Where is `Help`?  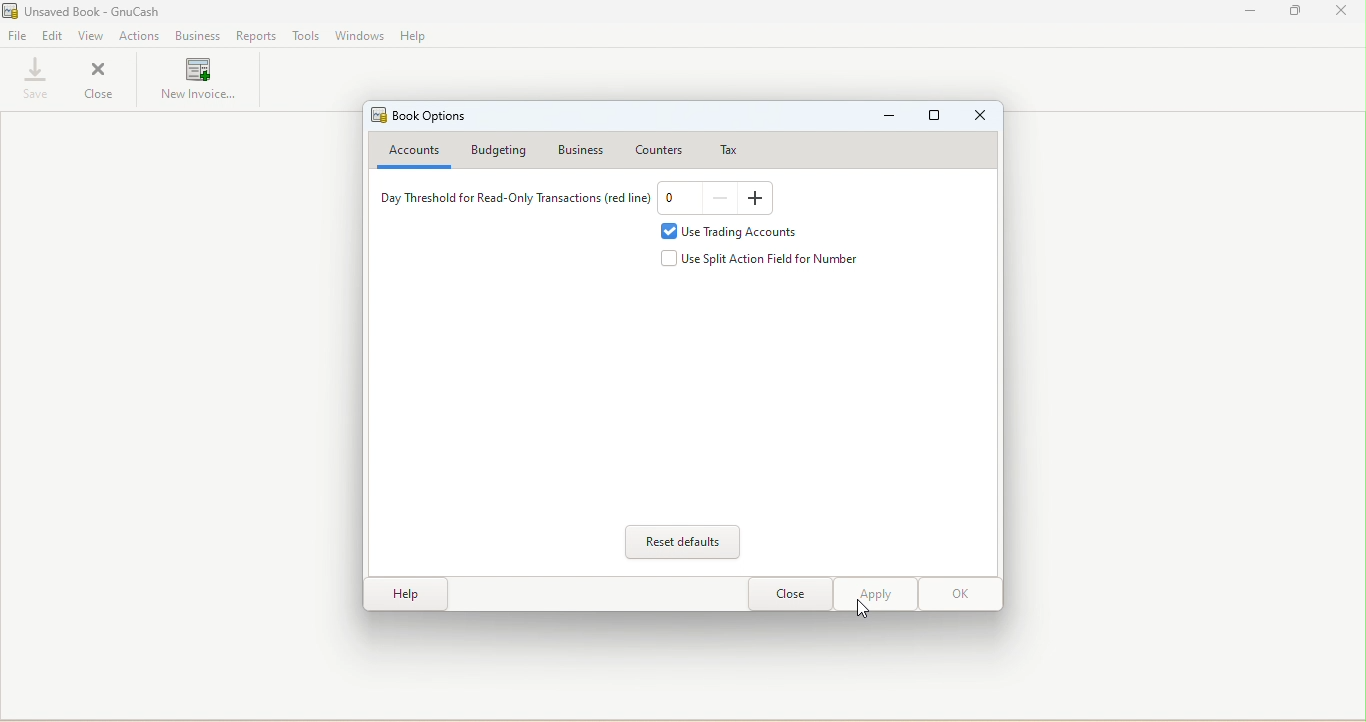 Help is located at coordinates (403, 595).